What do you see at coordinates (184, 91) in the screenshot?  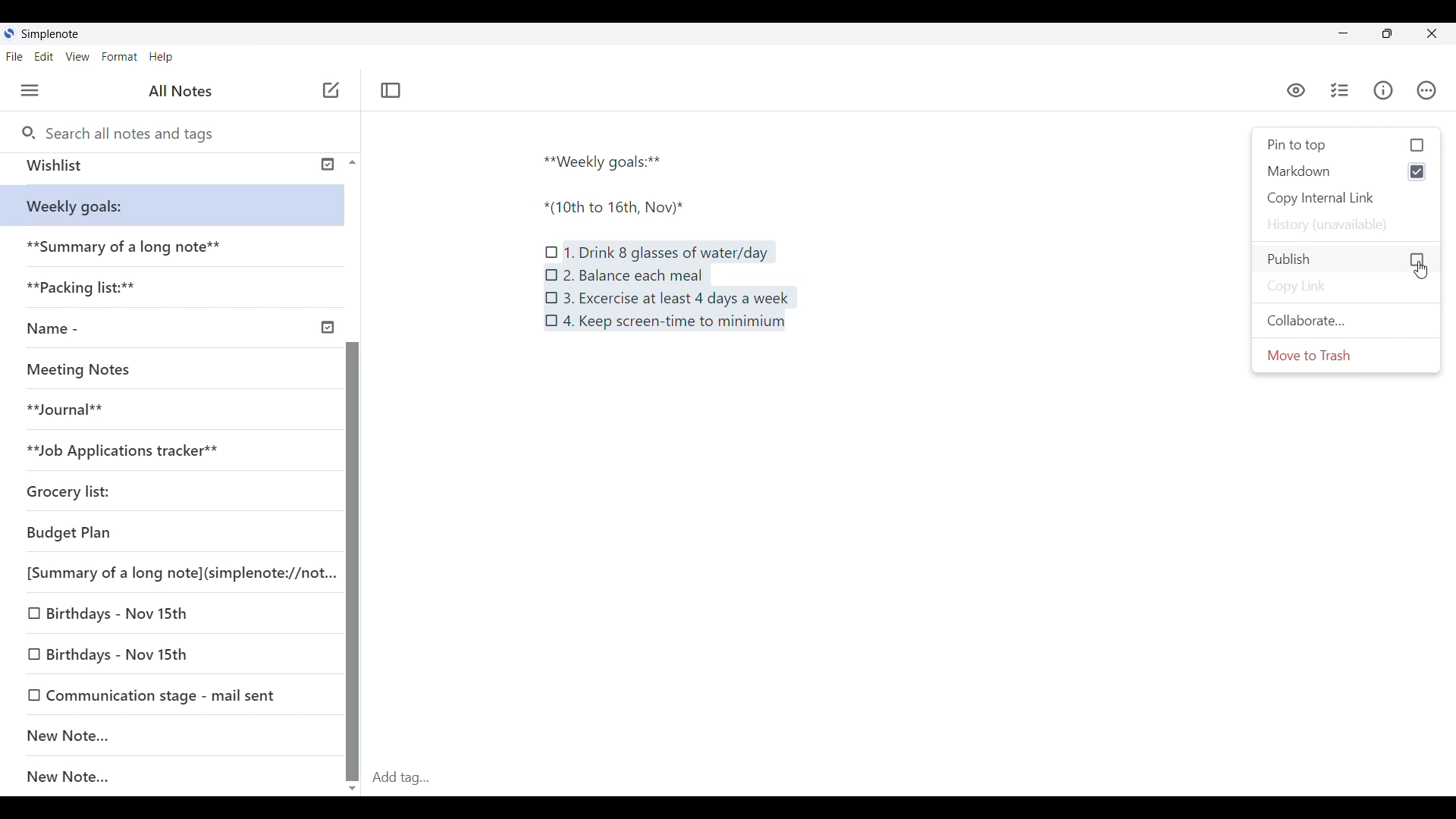 I see `All notes` at bounding box center [184, 91].